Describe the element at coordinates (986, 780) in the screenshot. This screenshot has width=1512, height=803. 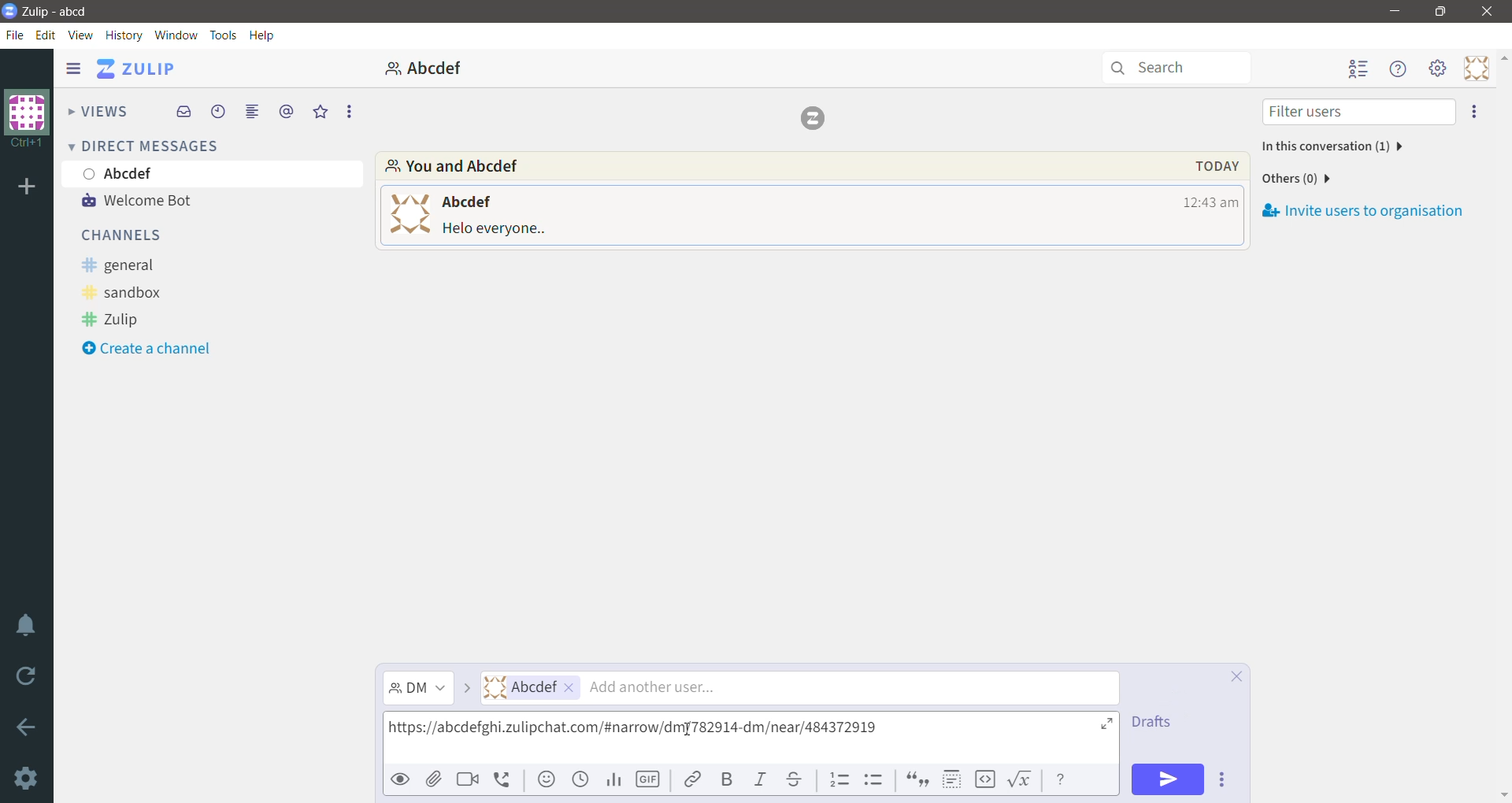
I see `Code` at that location.